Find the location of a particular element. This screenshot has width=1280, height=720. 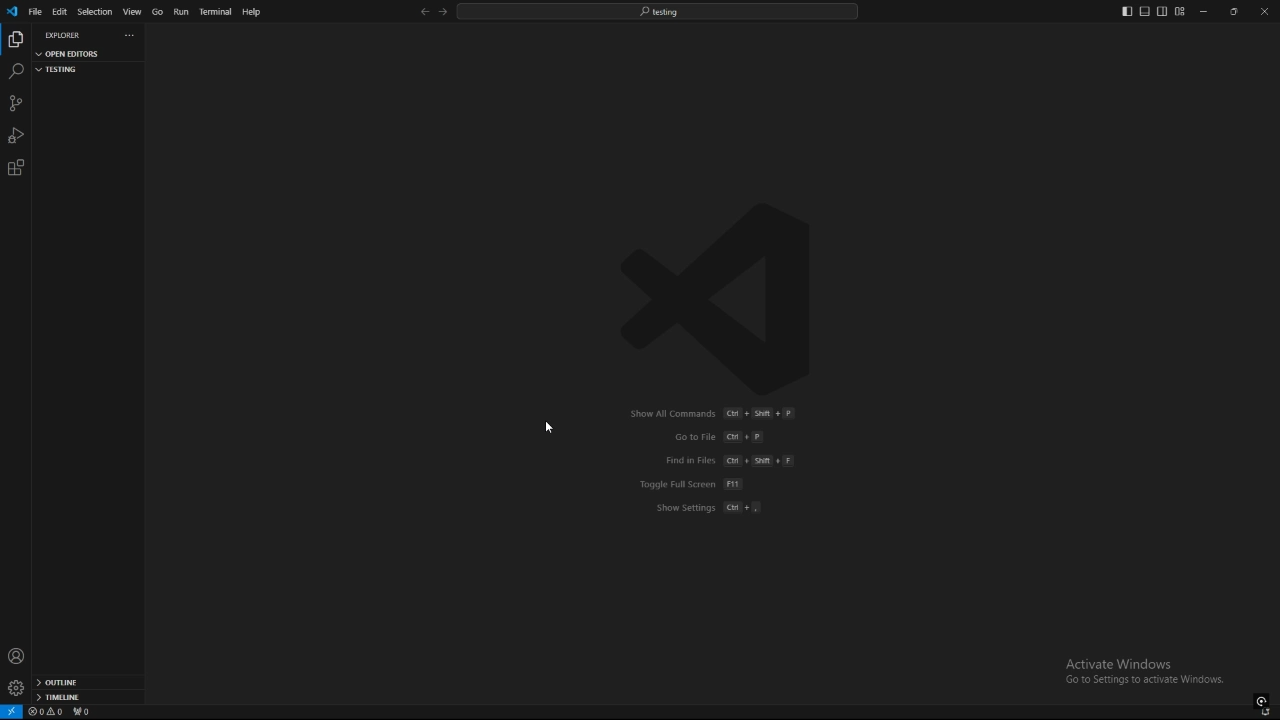

explore is located at coordinates (15, 38).